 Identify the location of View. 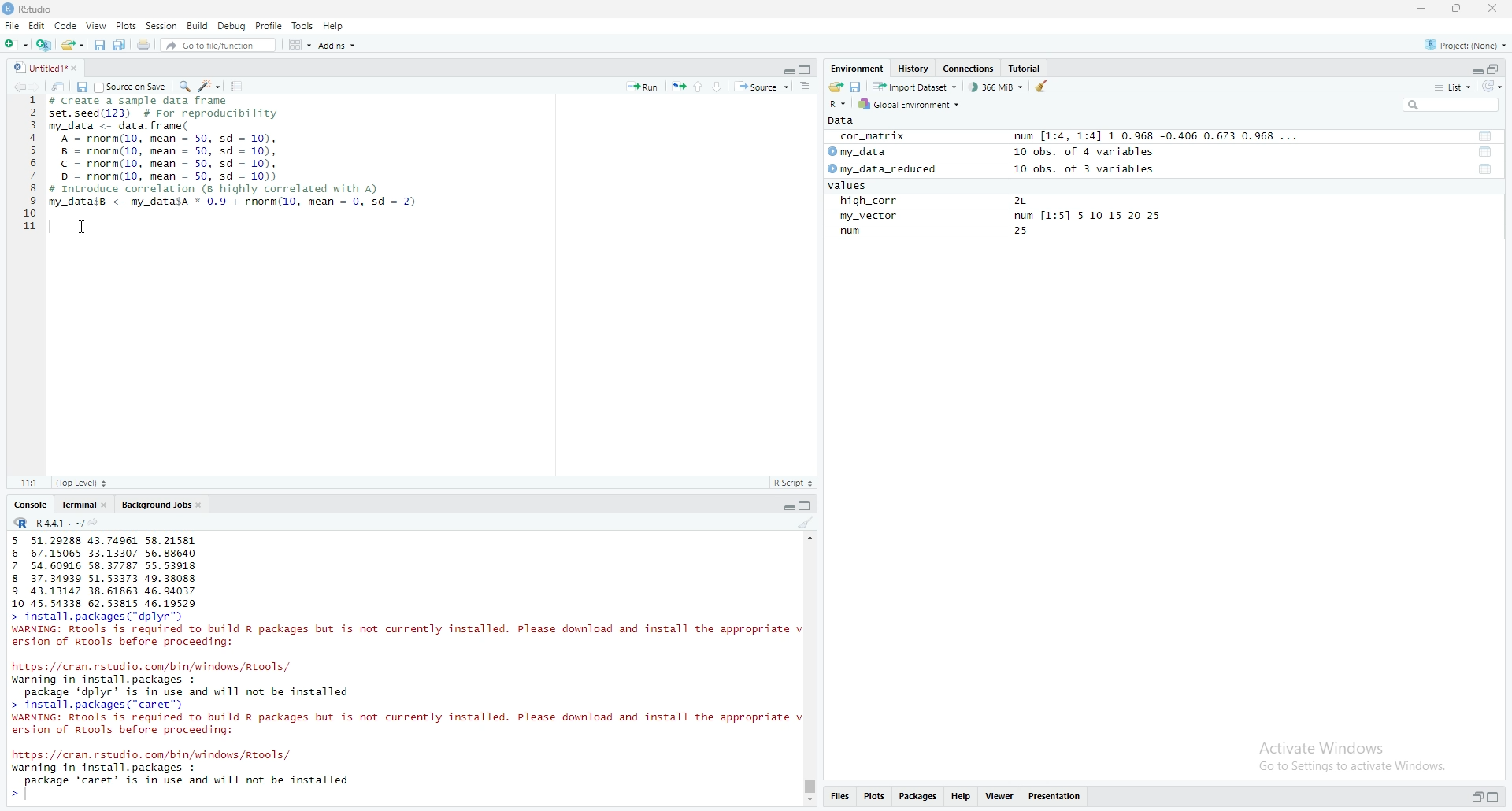
(97, 26).